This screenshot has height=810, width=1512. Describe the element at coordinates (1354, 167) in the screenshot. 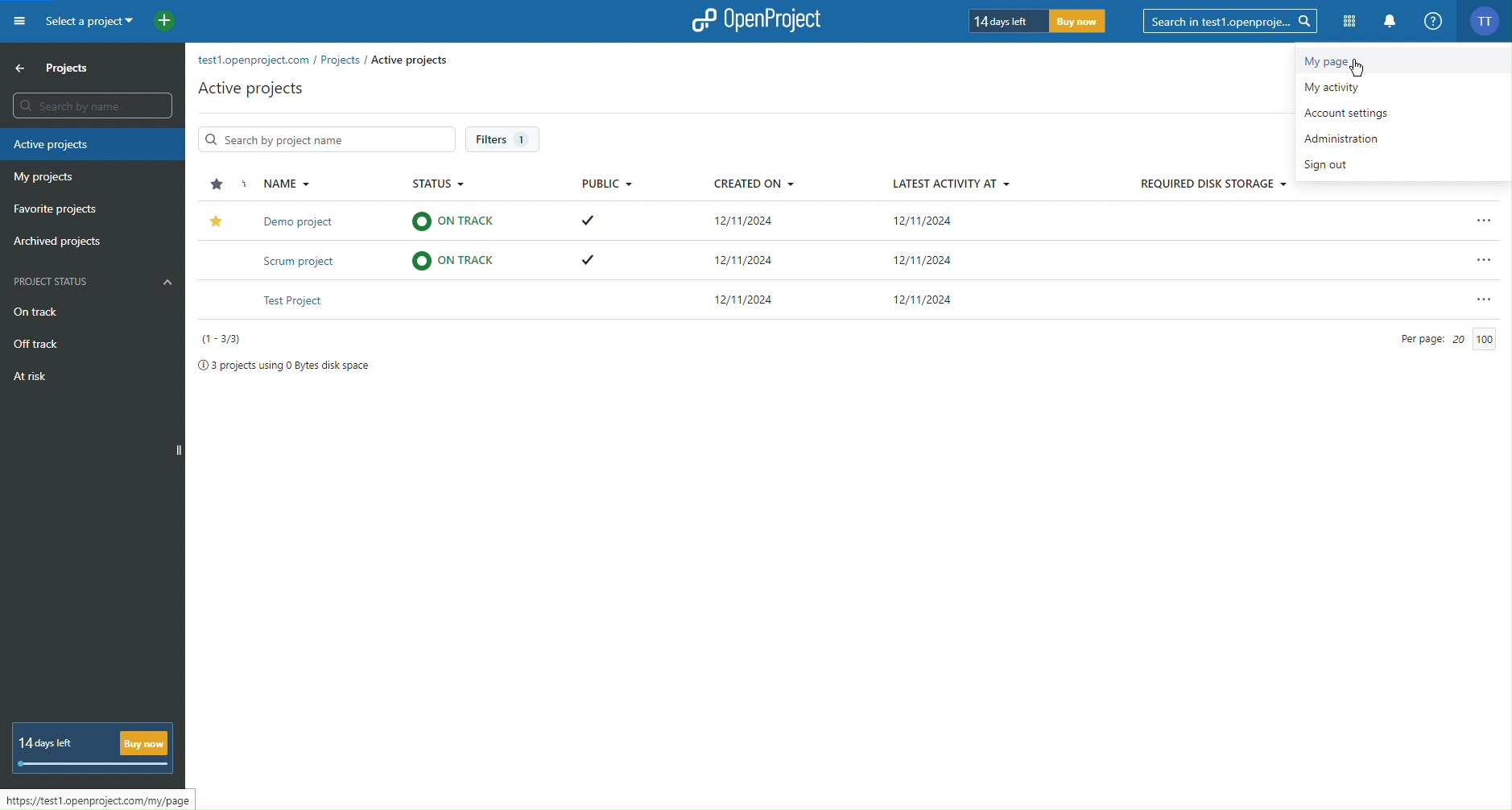

I see `Sign out ` at that location.